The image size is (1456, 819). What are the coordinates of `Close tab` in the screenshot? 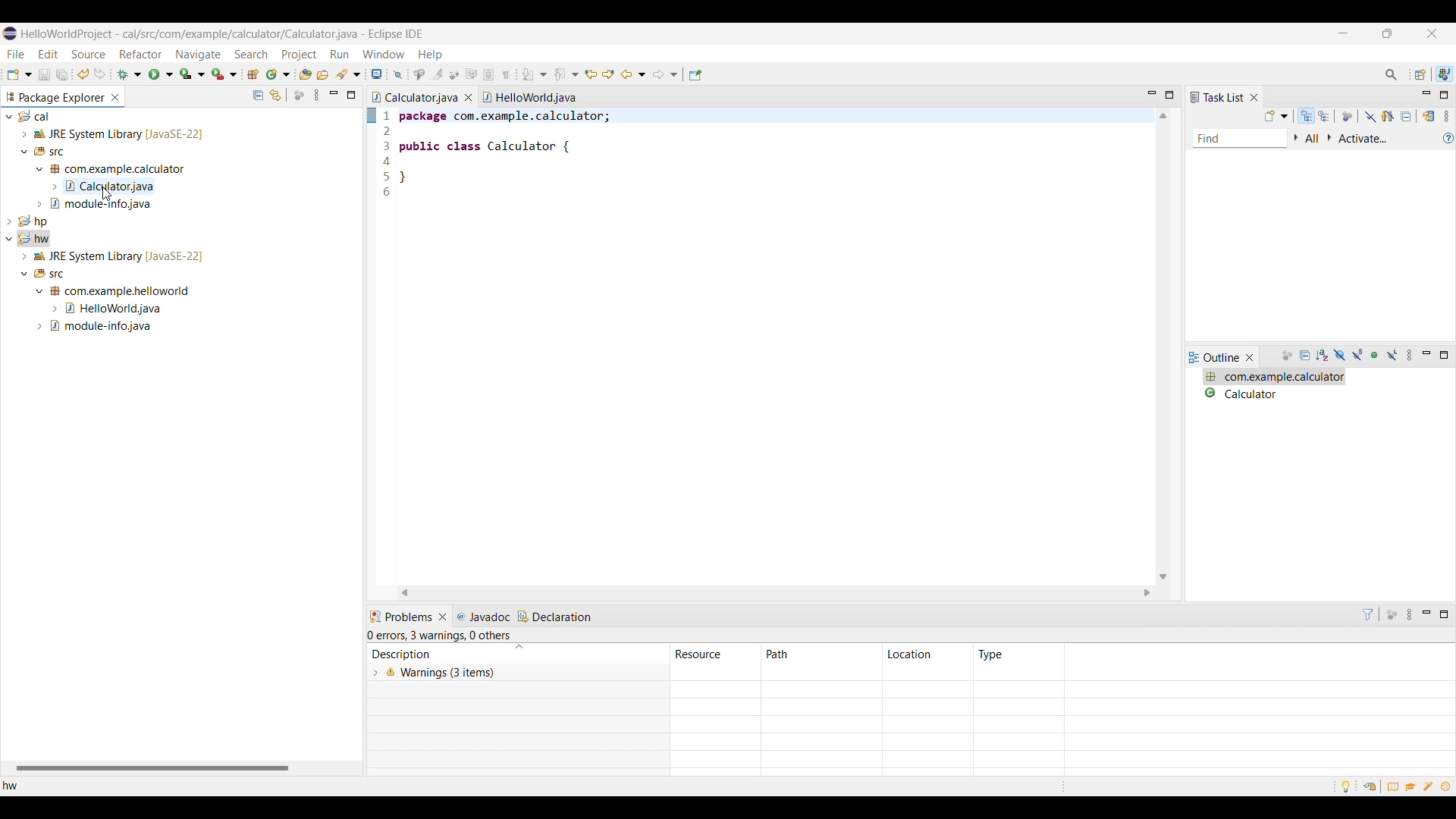 It's located at (115, 97).